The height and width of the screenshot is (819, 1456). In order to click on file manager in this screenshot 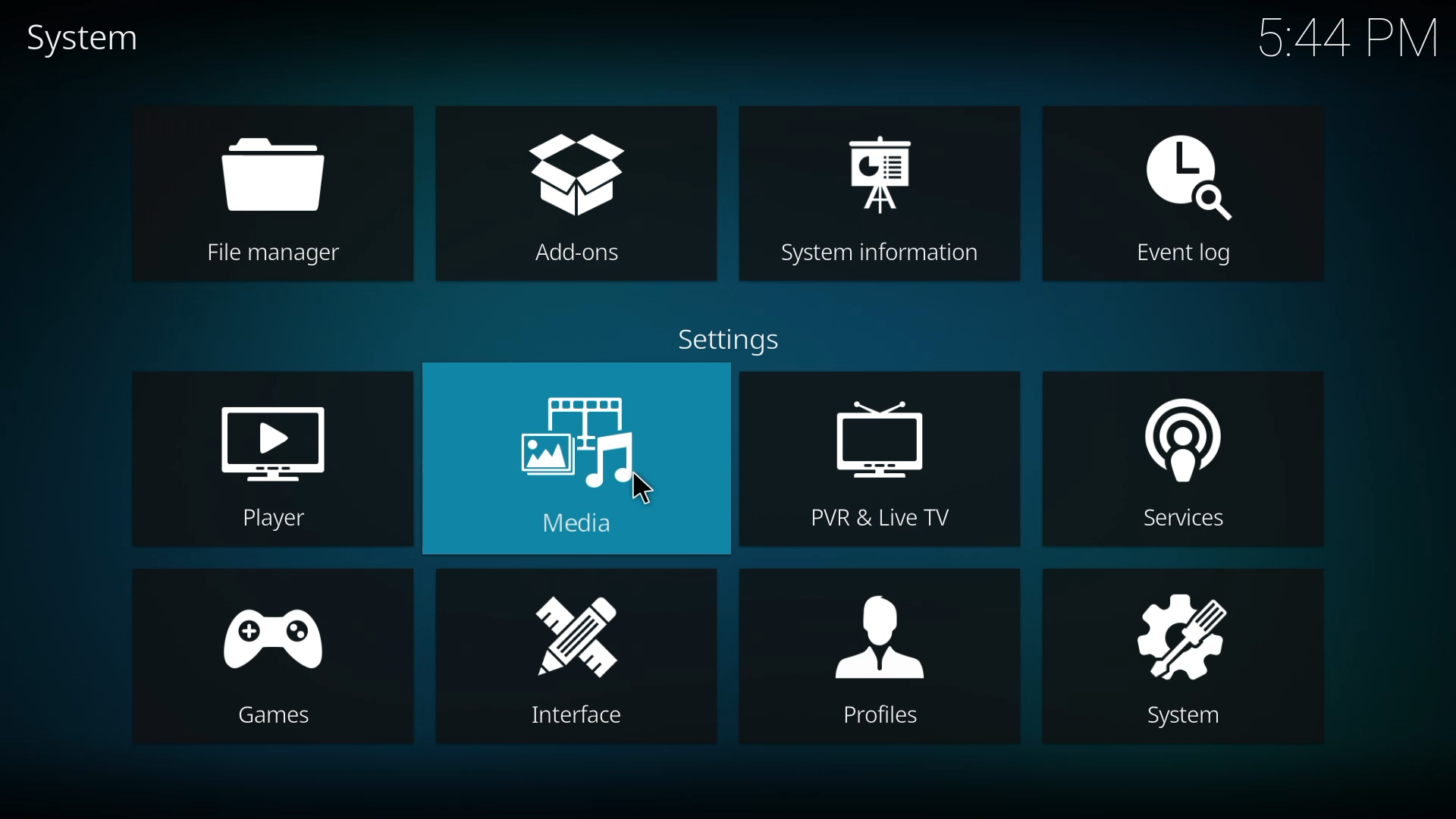, I will do `click(282, 174)`.